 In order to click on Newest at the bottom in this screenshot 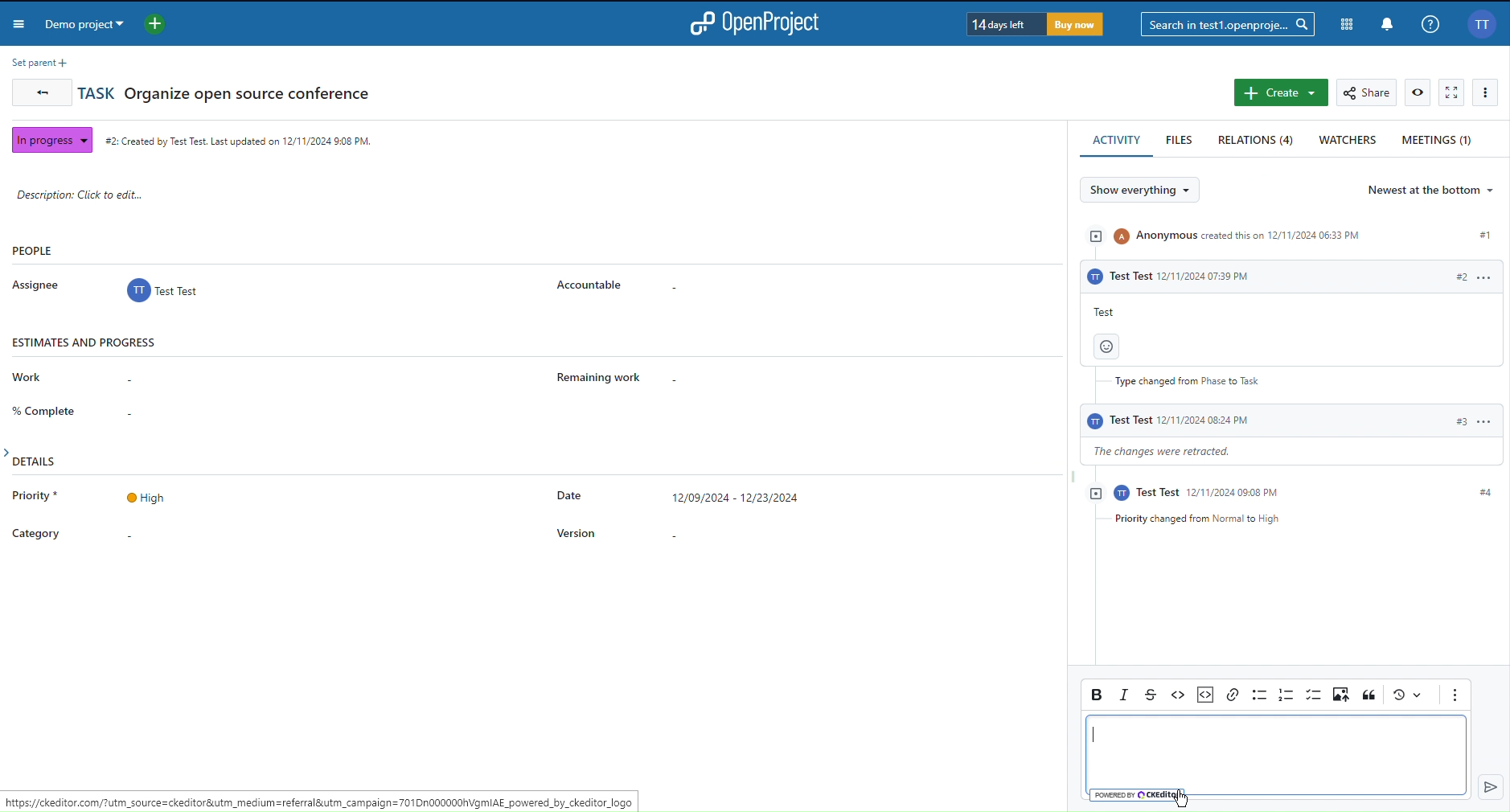, I will do `click(1433, 190)`.